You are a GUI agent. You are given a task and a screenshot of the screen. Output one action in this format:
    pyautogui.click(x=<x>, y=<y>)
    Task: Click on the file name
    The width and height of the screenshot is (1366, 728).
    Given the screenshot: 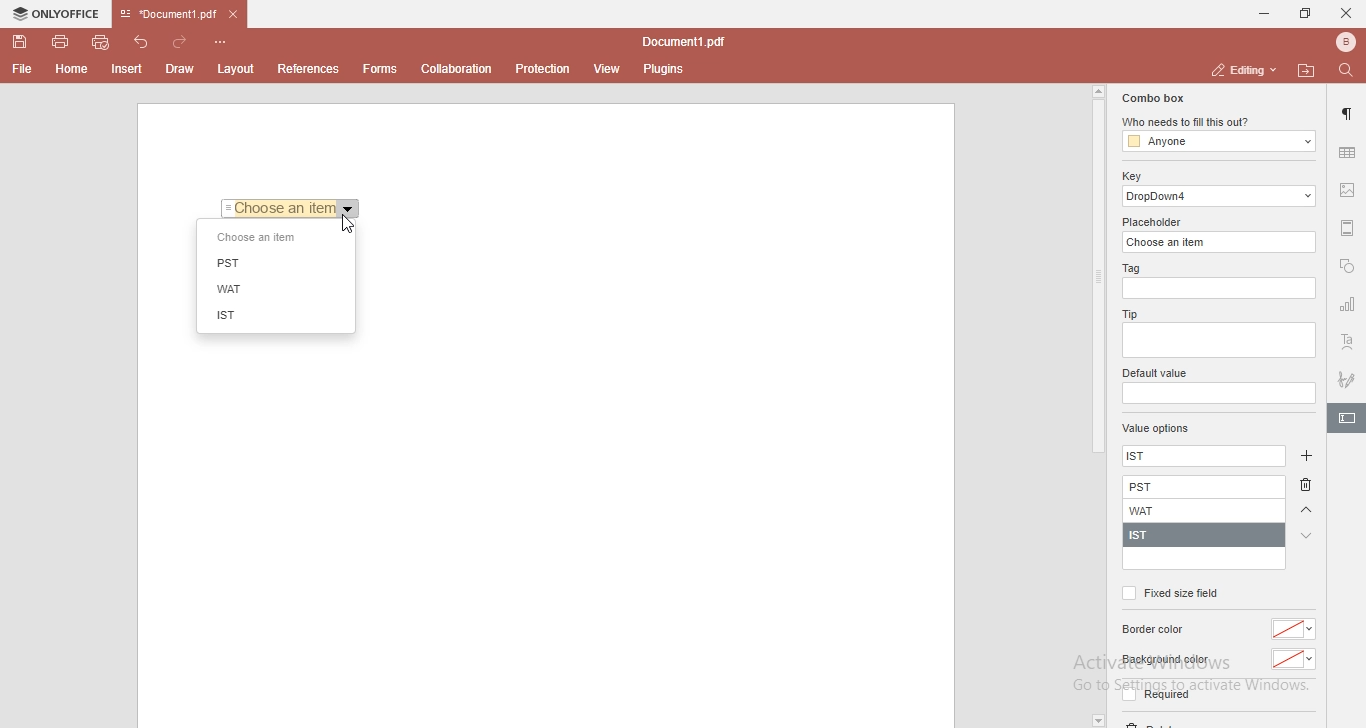 What is the action you would take?
    pyautogui.click(x=688, y=43)
    